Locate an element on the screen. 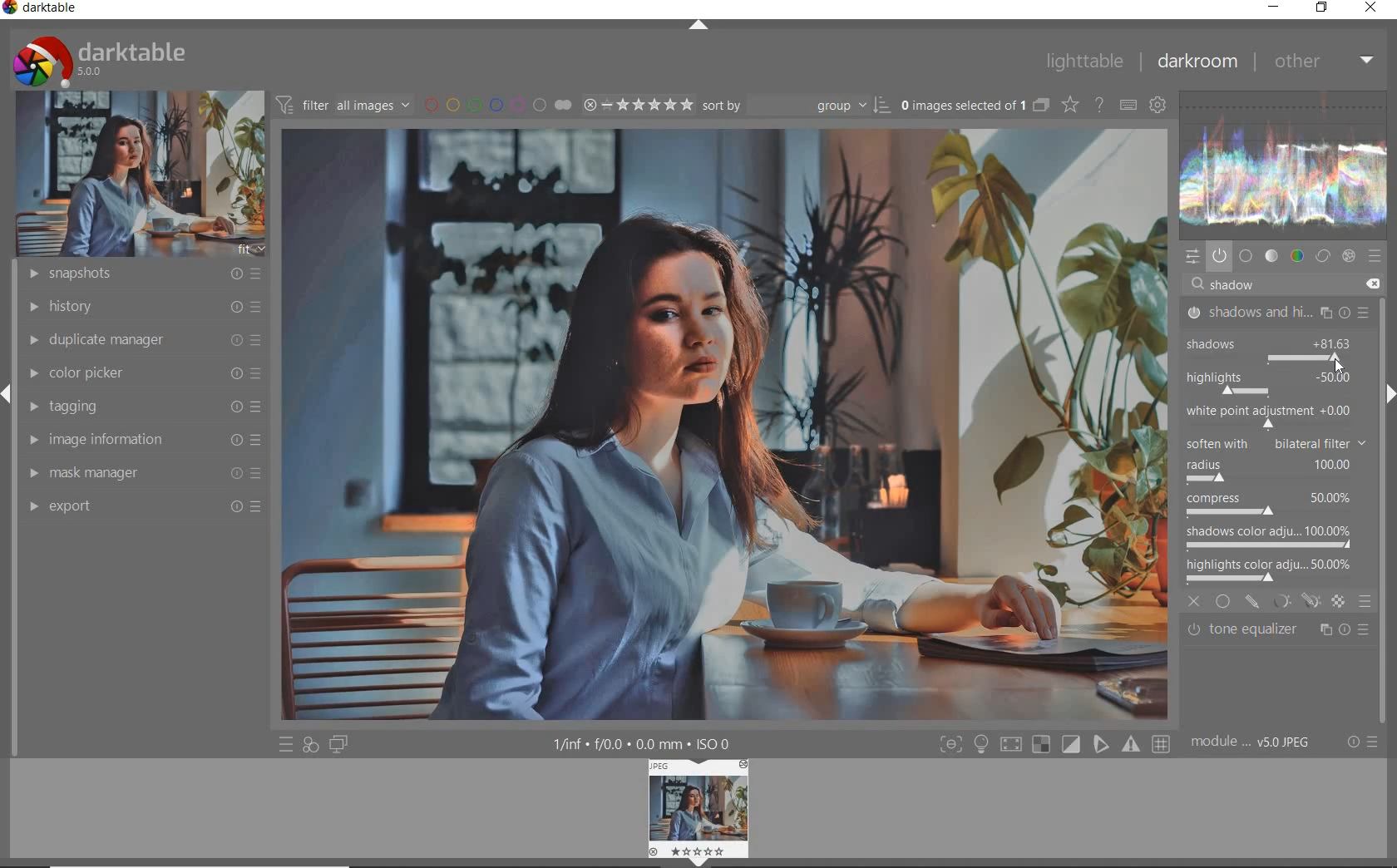  tone equalizer is located at coordinates (1278, 633).